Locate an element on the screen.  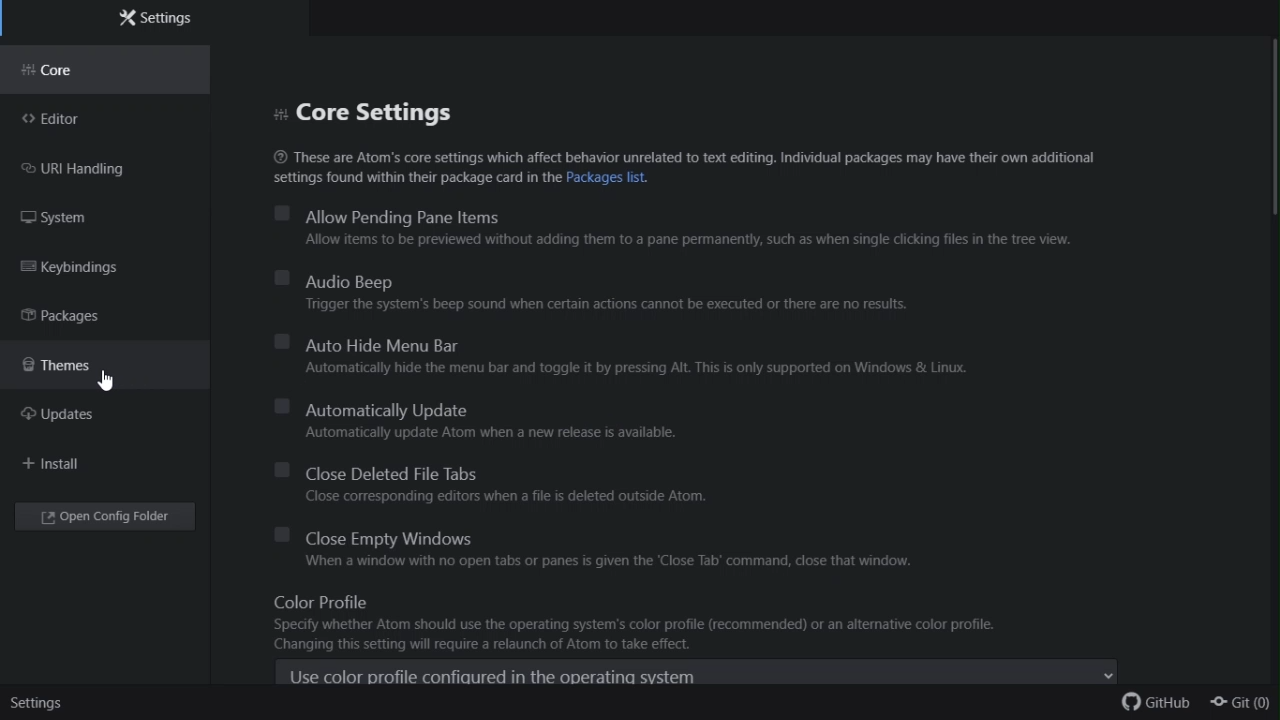
Open config folder is located at coordinates (109, 519).